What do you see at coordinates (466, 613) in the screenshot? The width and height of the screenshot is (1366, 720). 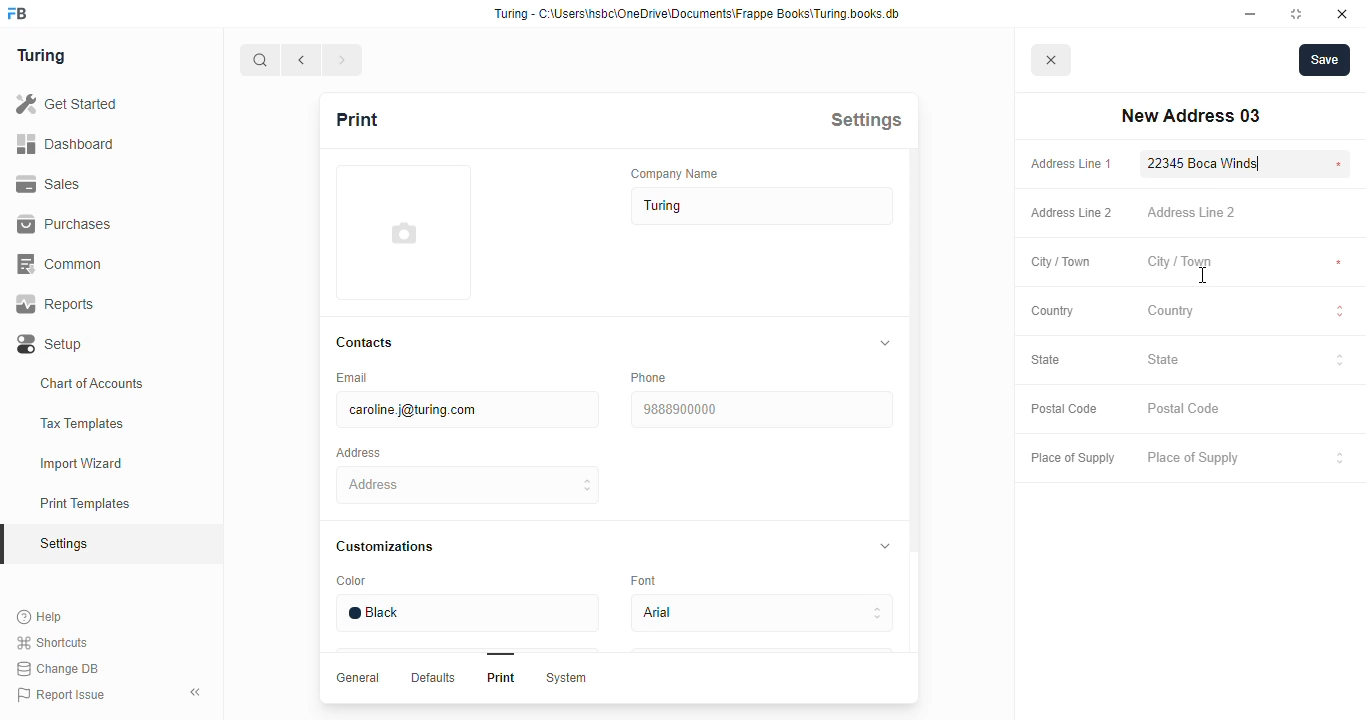 I see `black` at bounding box center [466, 613].